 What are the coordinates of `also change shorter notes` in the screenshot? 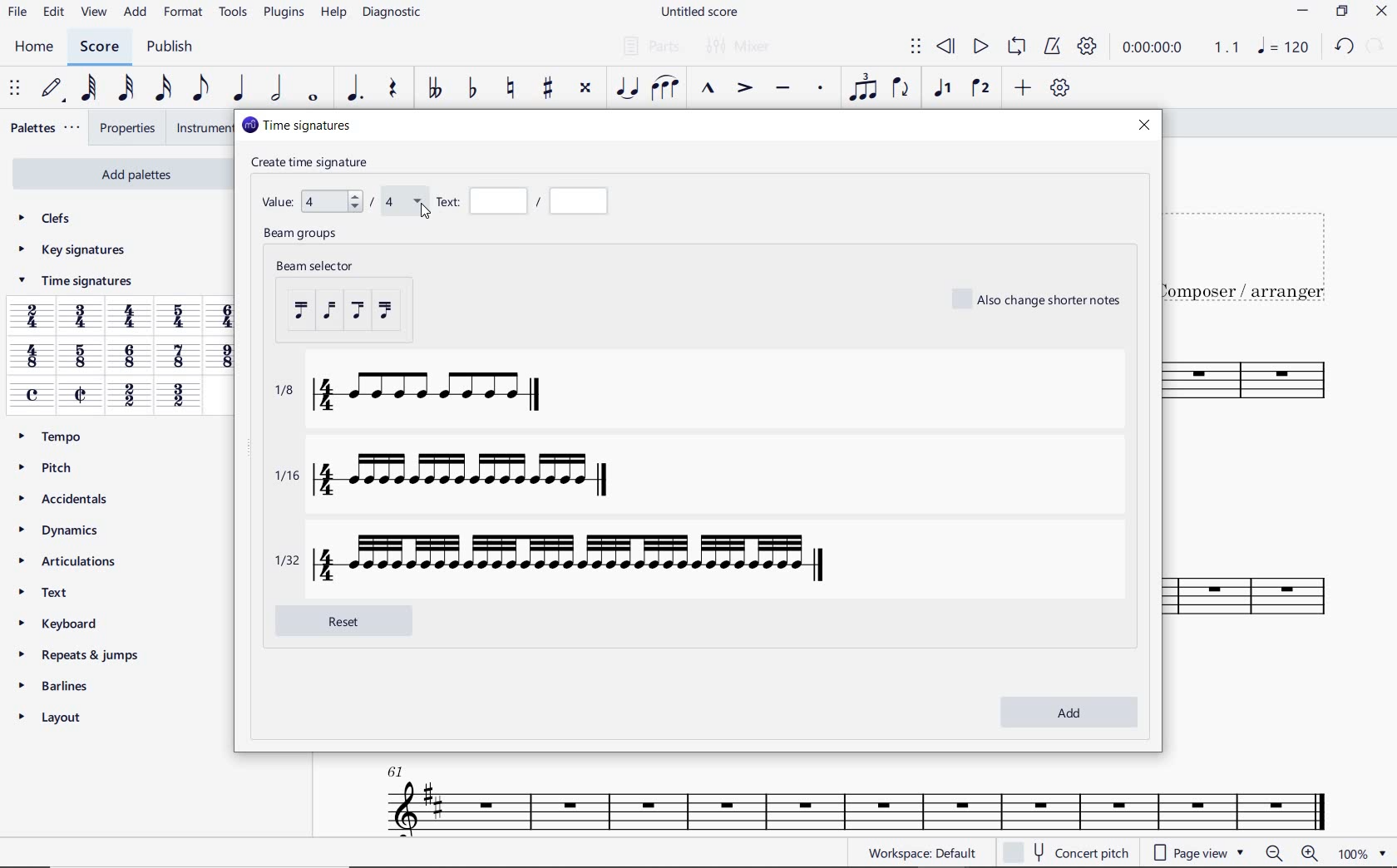 It's located at (1039, 298).